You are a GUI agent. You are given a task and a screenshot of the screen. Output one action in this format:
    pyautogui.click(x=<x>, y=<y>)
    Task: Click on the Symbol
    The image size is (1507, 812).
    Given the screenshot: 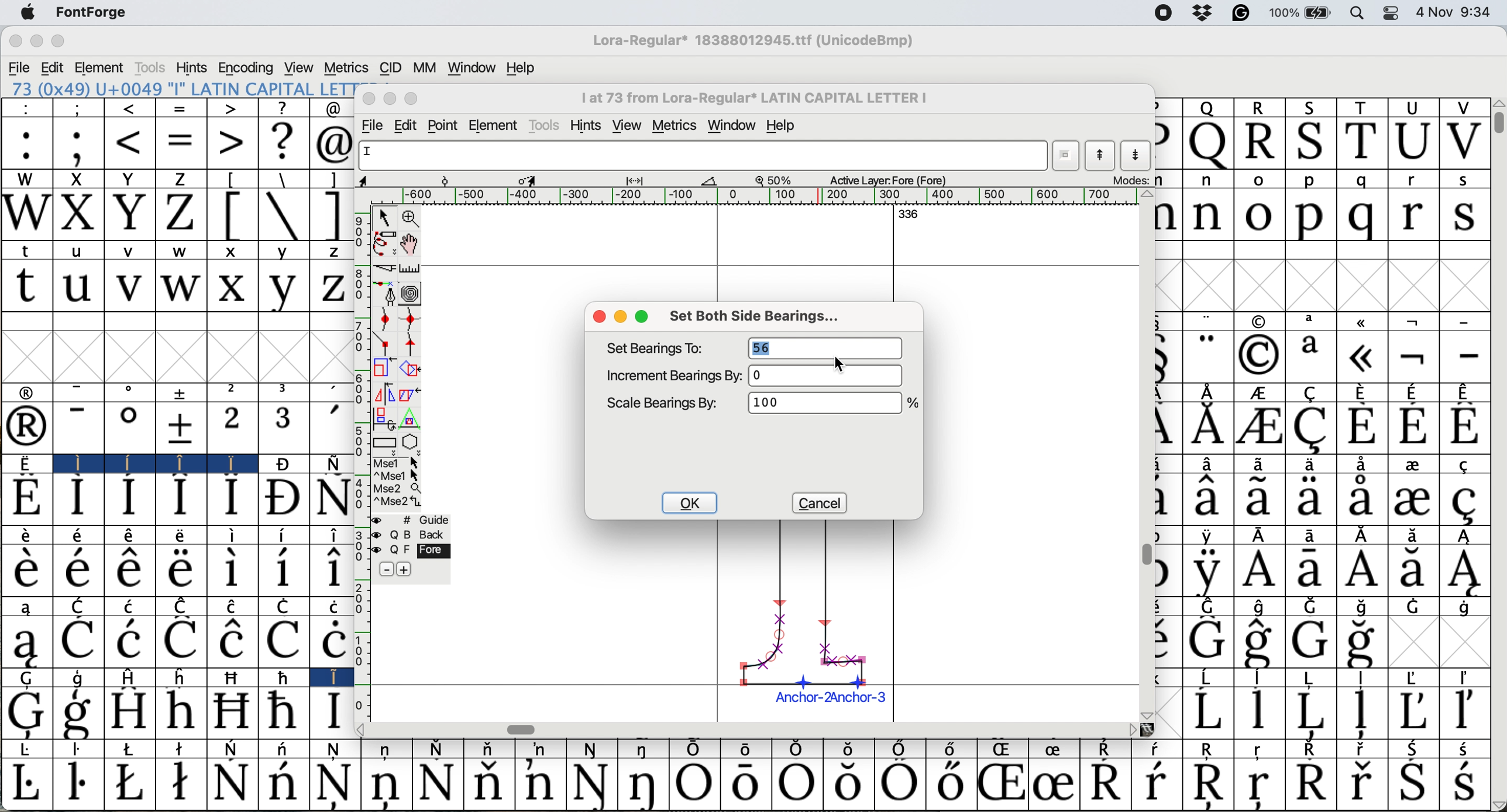 What is the action you would take?
    pyautogui.click(x=1261, y=750)
    